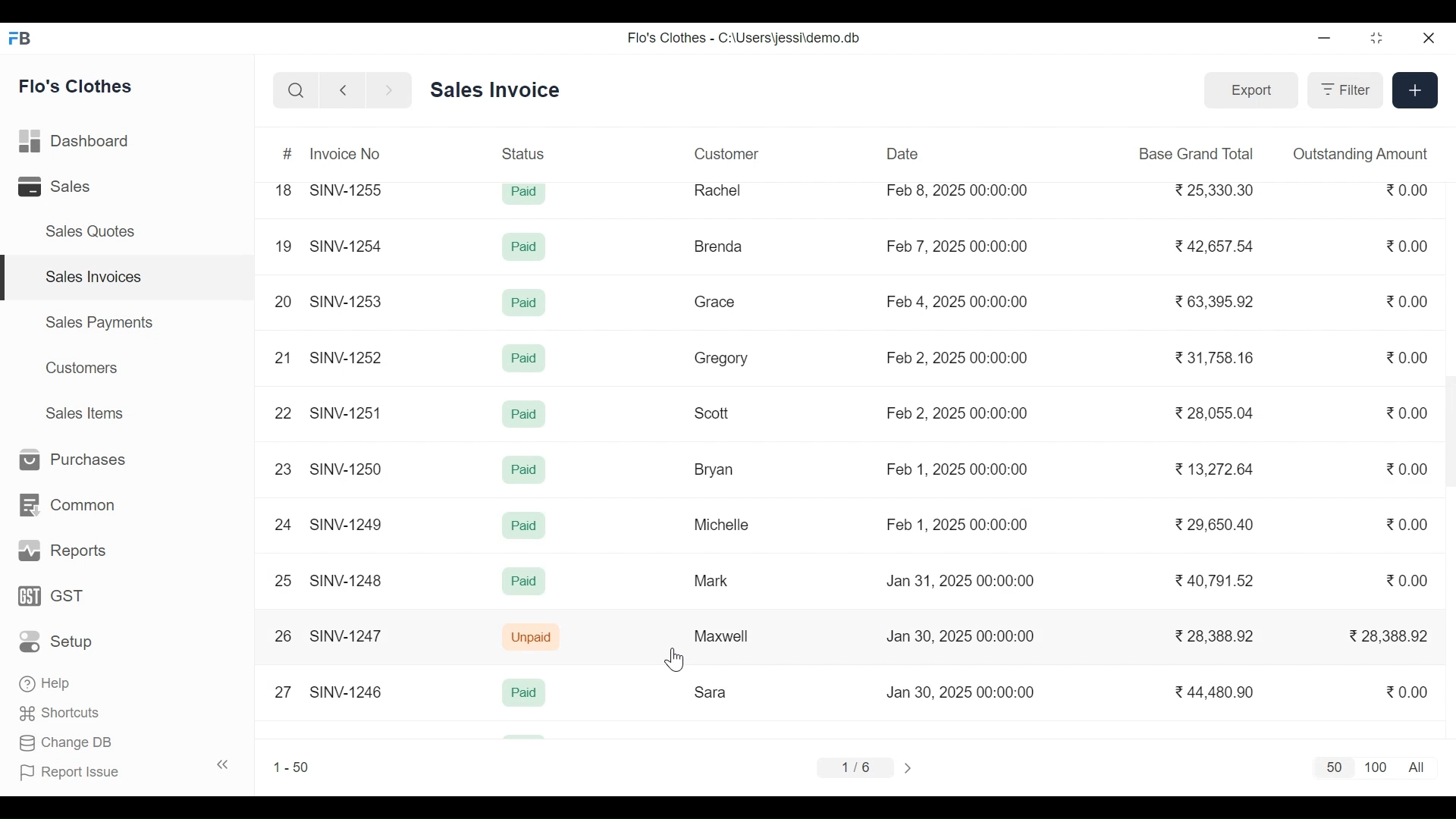 The height and width of the screenshot is (819, 1456). What do you see at coordinates (526, 152) in the screenshot?
I see `Status` at bounding box center [526, 152].